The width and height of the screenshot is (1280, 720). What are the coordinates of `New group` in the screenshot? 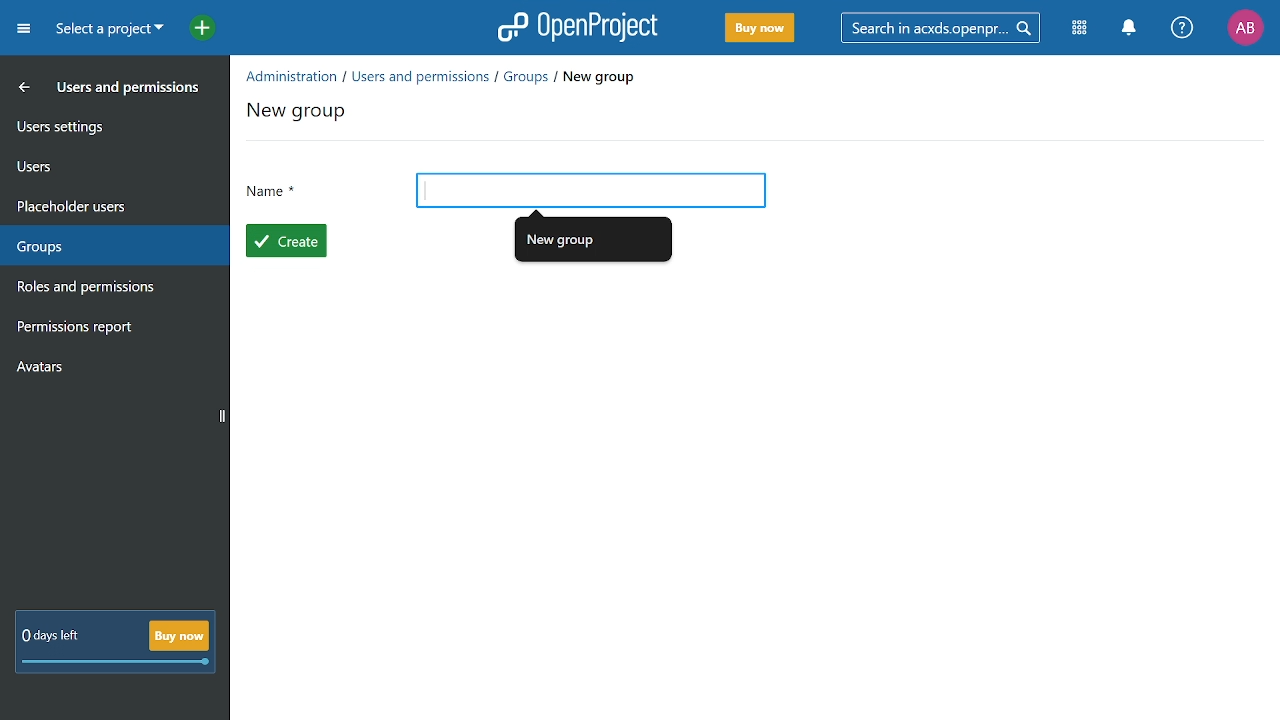 It's located at (299, 115).